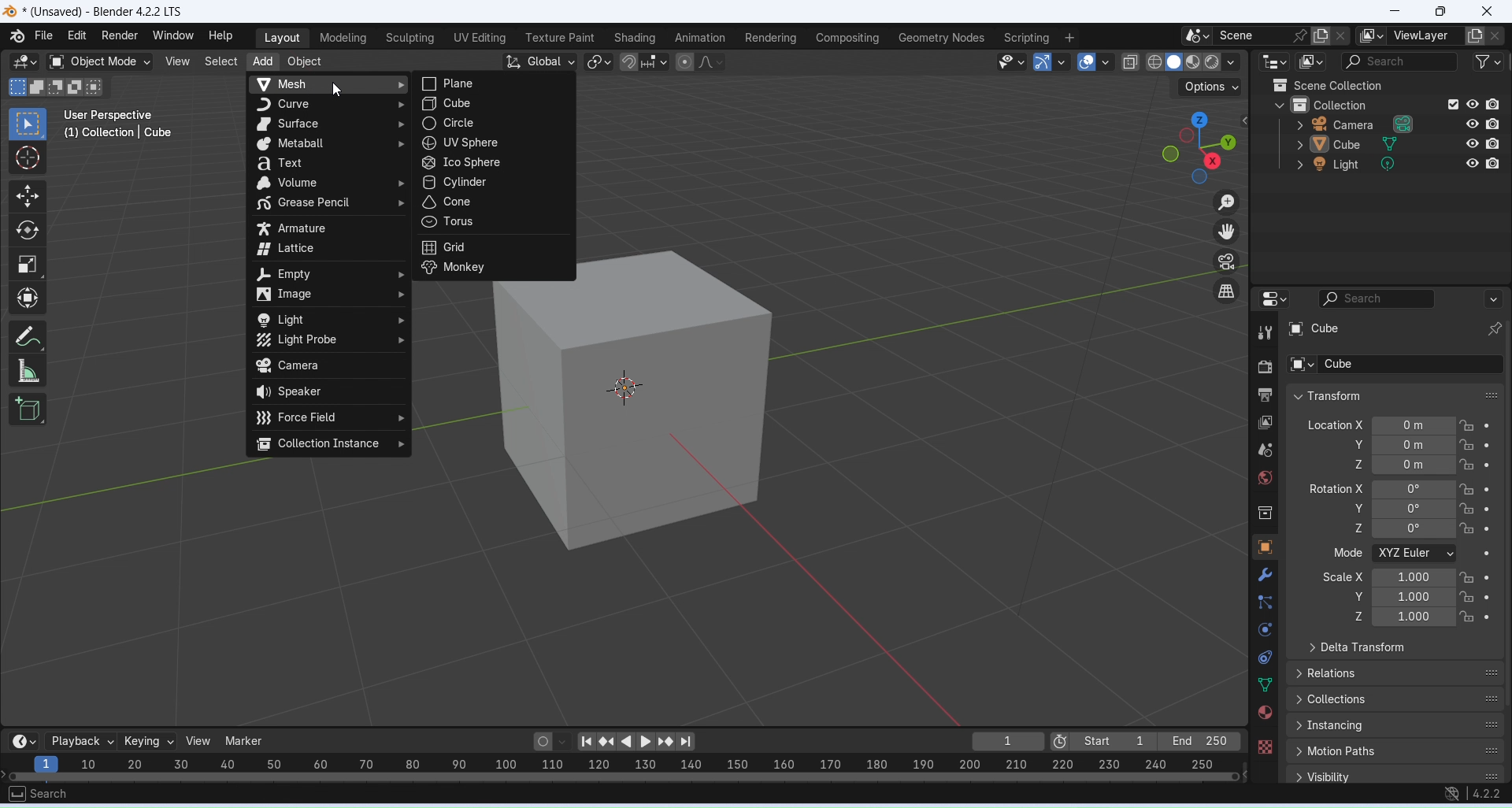 The height and width of the screenshot is (808, 1512). I want to click on Close, so click(1489, 12).